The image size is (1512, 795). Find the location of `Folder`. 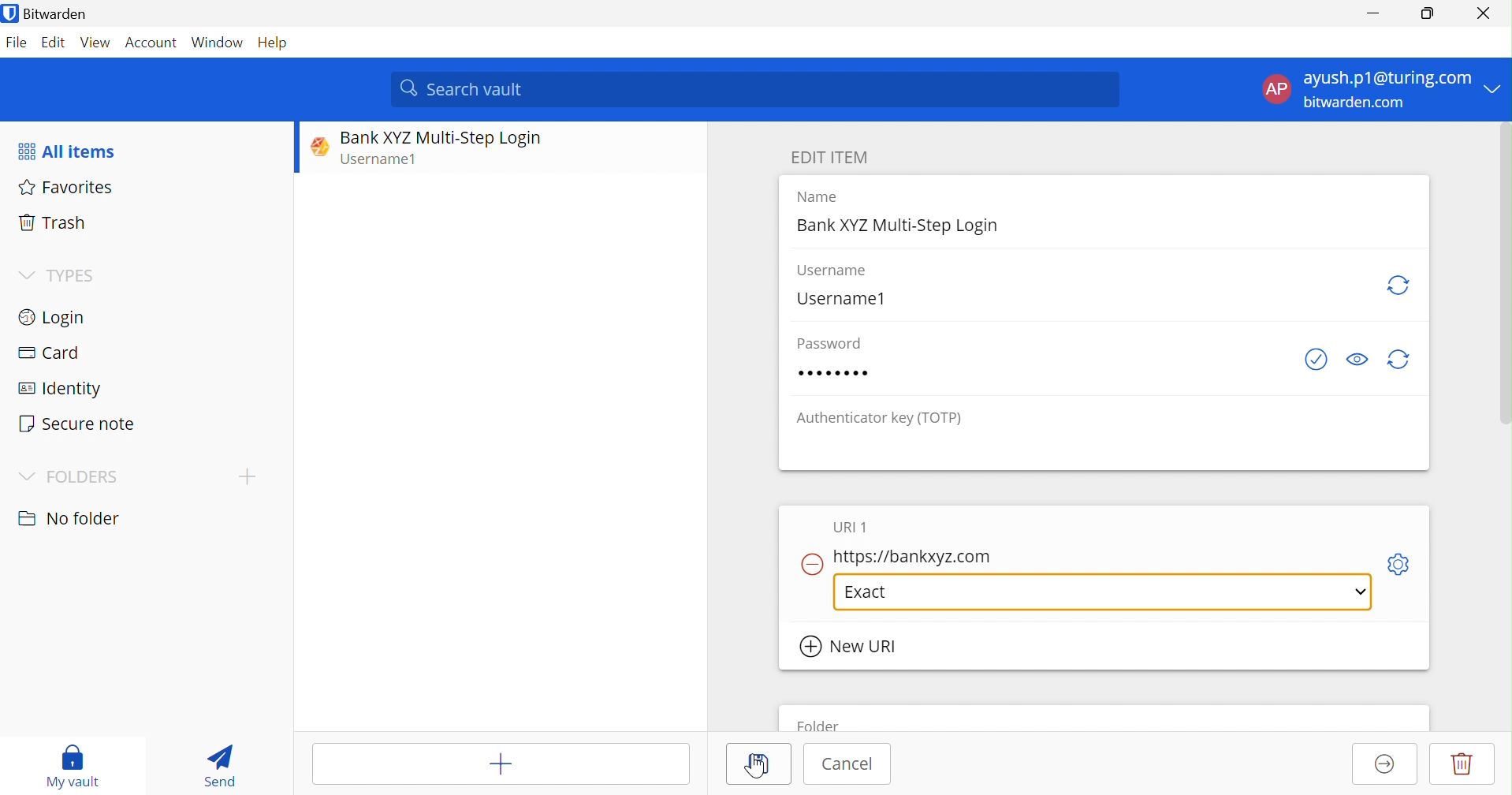

Folder is located at coordinates (821, 723).